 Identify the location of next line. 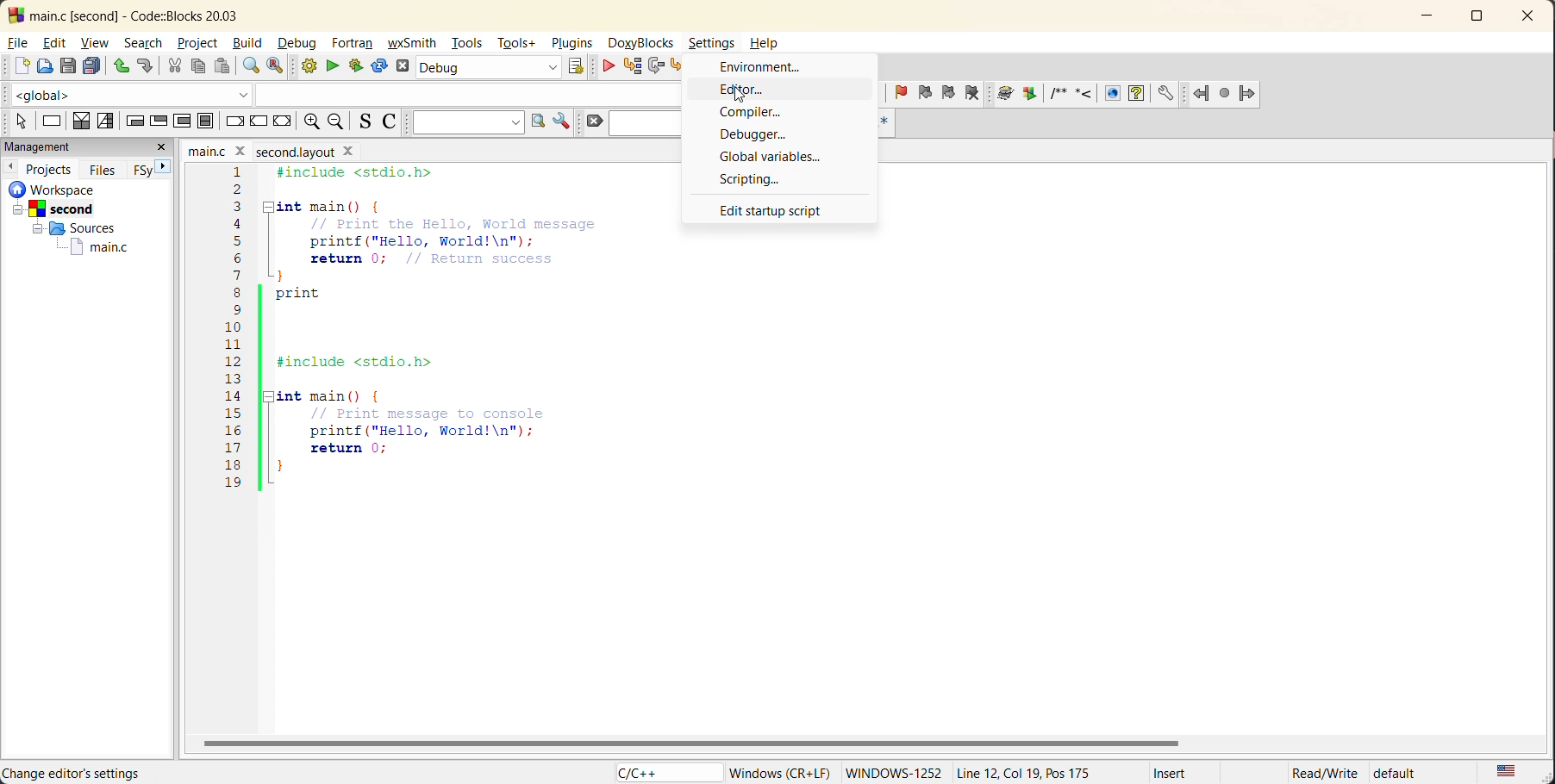
(655, 68).